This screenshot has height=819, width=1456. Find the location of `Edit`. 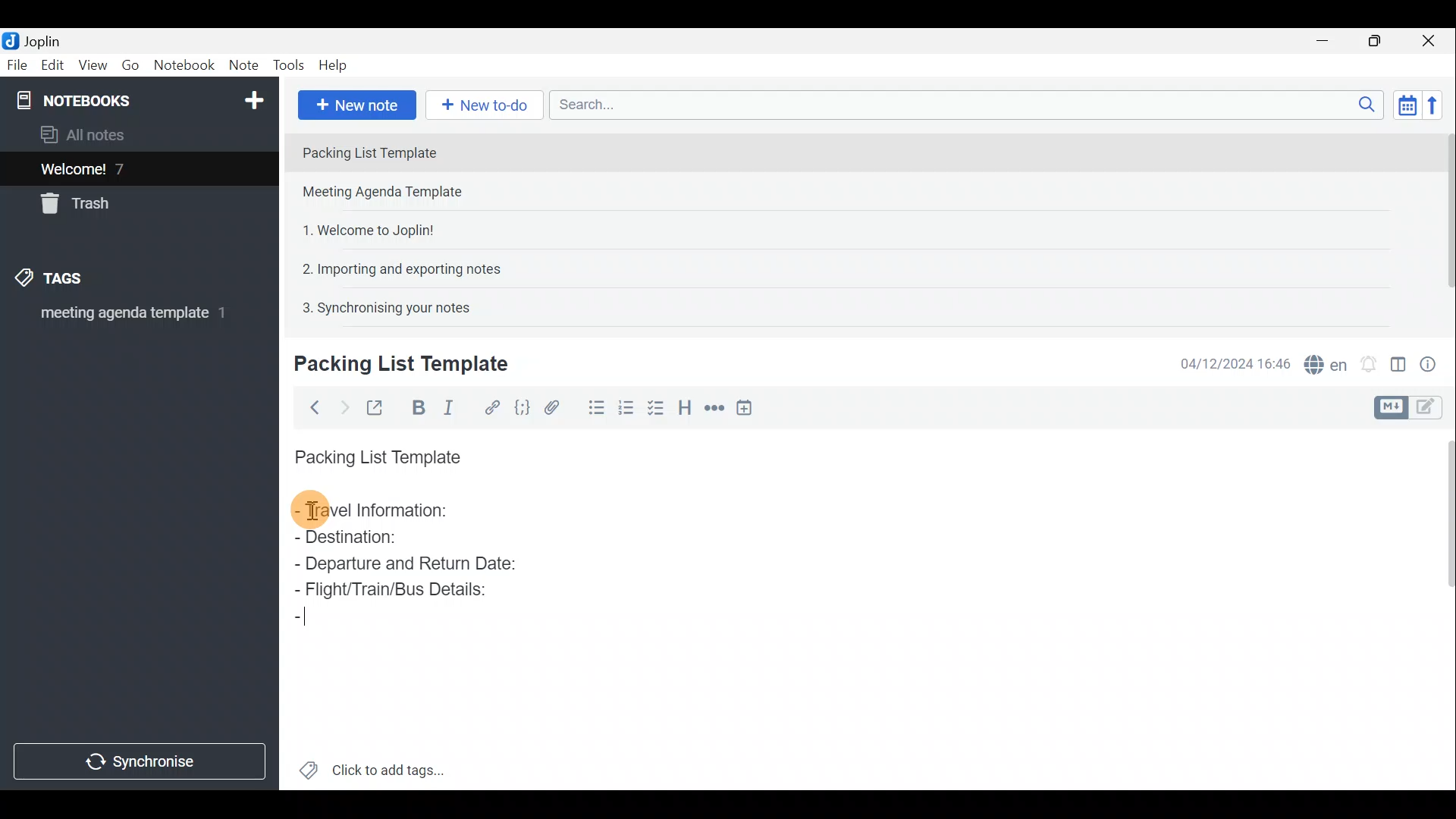

Edit is located at coordinates (49, 66).